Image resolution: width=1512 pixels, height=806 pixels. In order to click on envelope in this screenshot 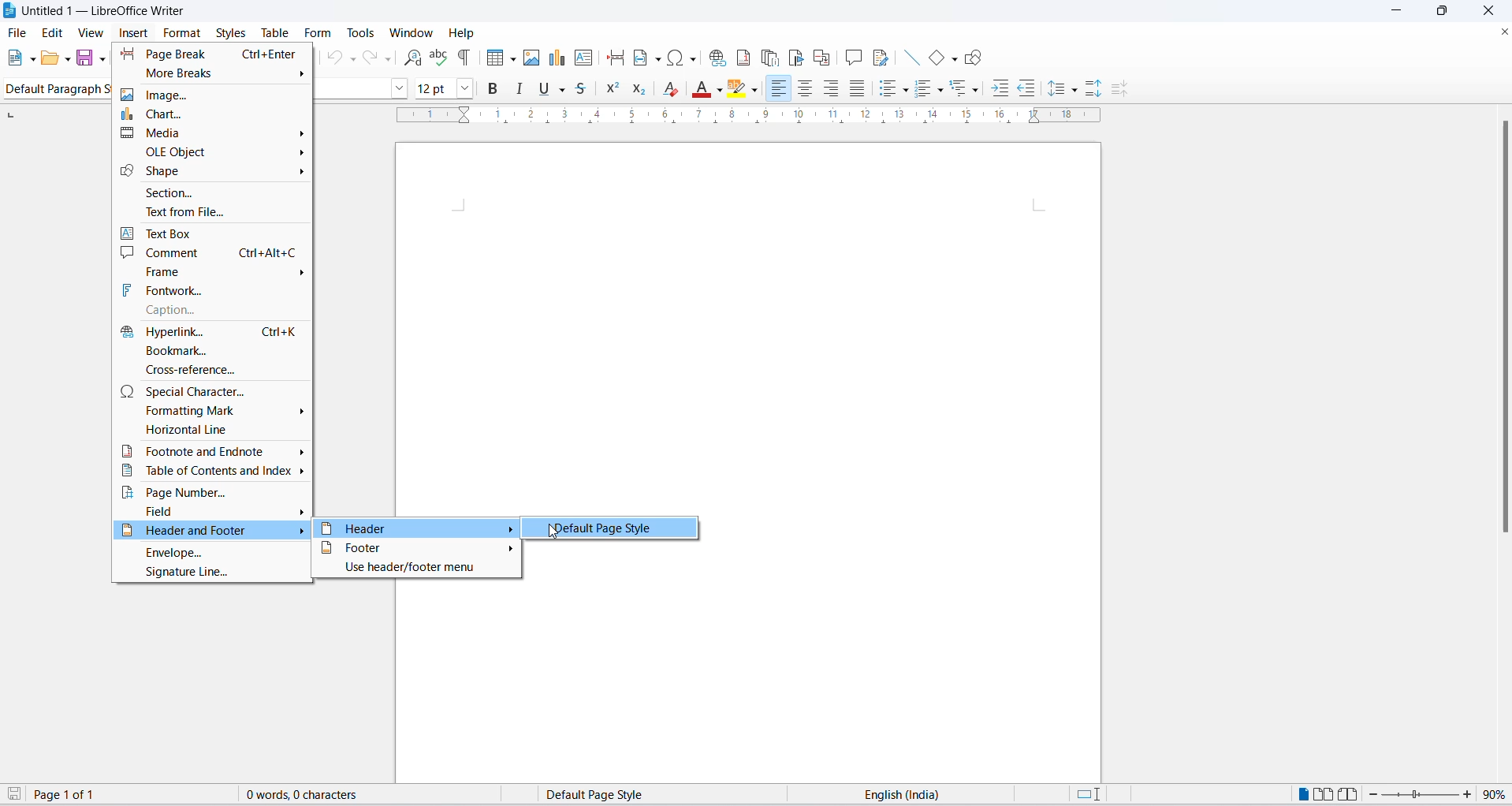, I will do `click(213, 554)`.